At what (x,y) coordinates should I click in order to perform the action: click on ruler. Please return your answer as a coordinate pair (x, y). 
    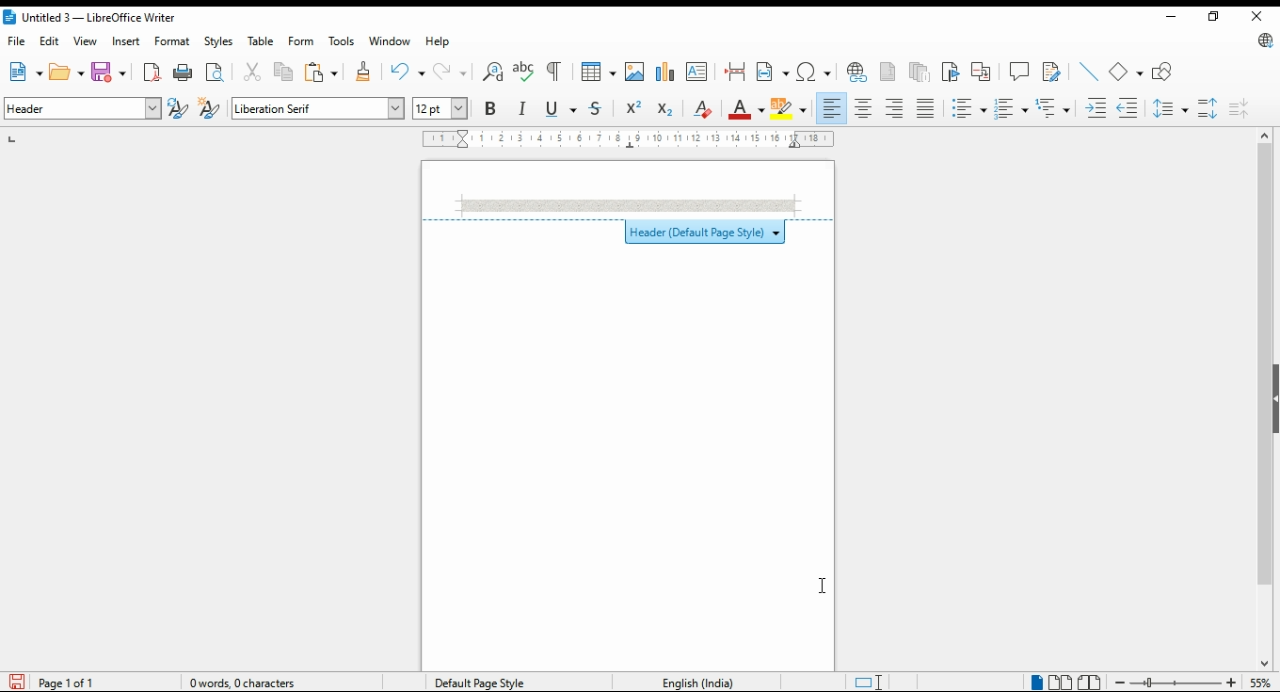
    Looking at the image, I should click on (629, 139).